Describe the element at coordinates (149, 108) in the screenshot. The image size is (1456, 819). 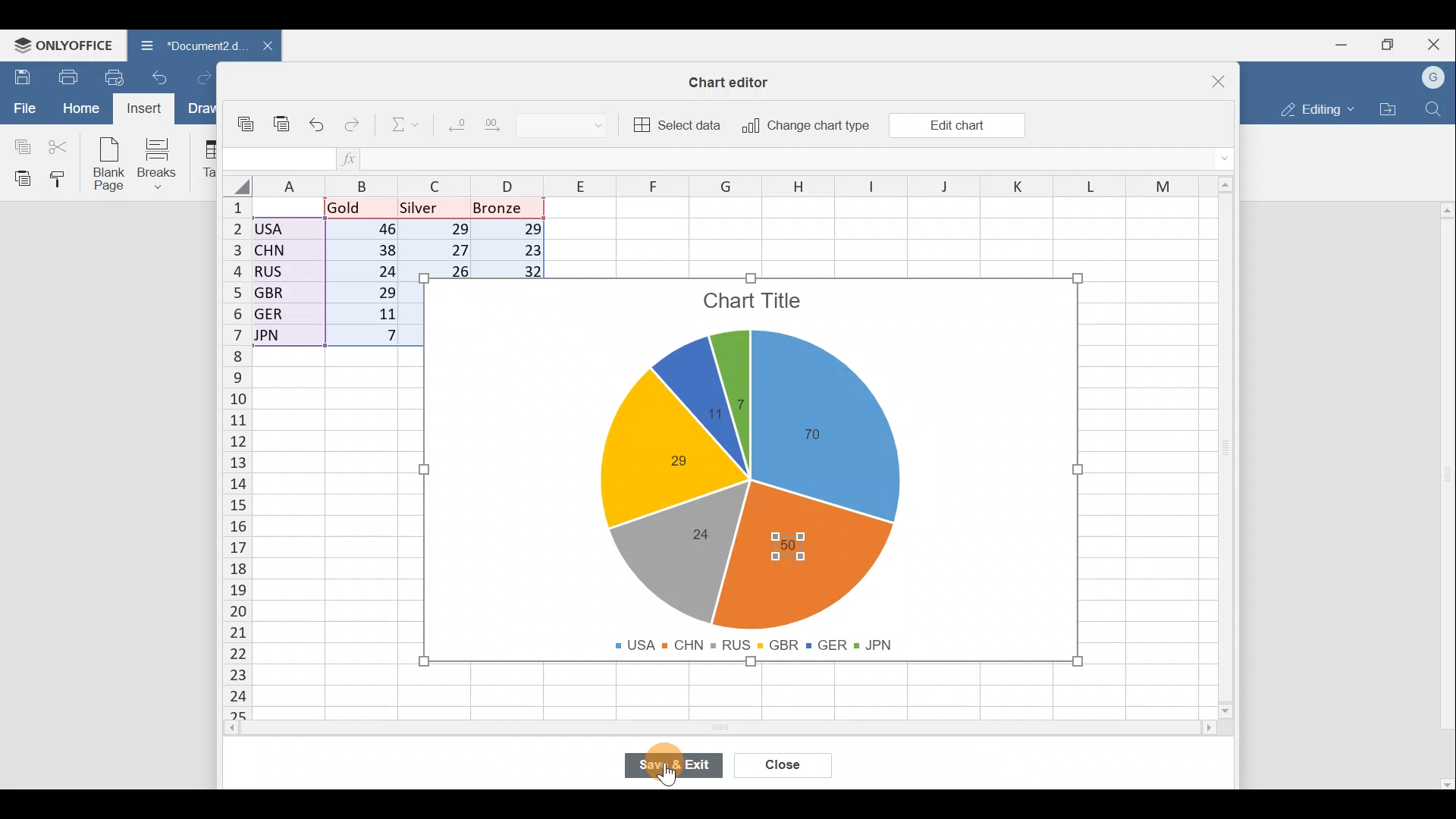
I see `Cursor on Insert` at that location.